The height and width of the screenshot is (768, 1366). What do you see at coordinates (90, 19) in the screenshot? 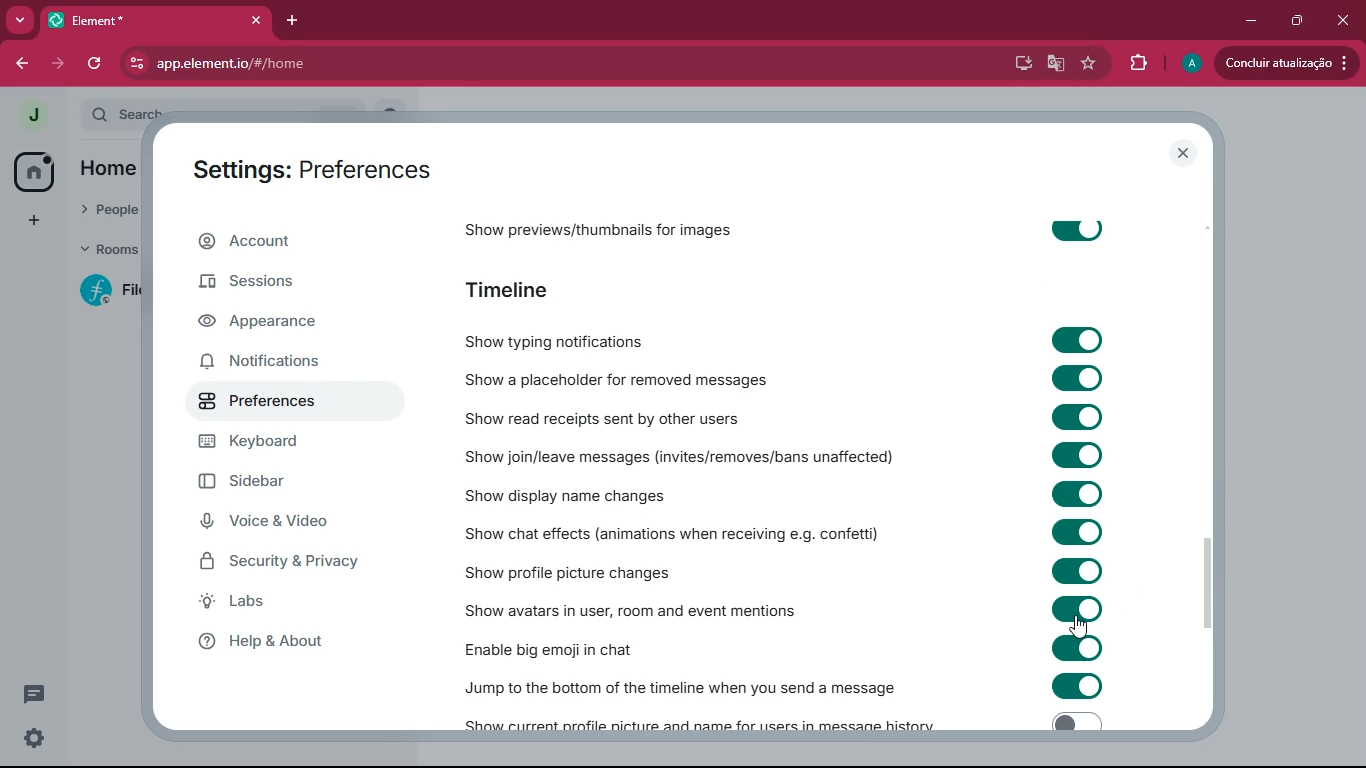
I see `element*` at bounding box center [90, 19].